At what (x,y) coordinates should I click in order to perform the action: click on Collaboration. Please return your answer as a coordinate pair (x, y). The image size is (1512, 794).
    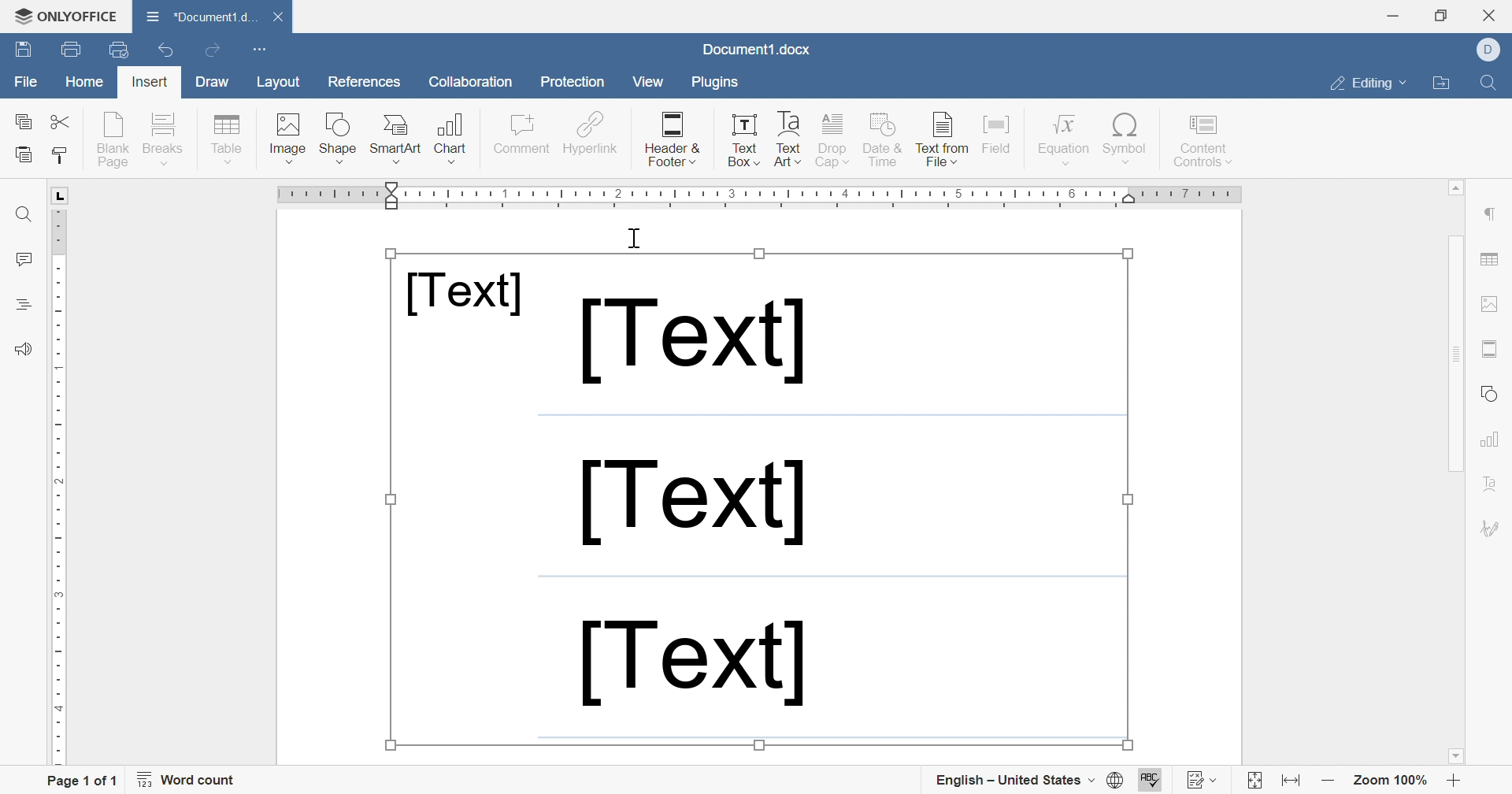
    Looking at the image, I should click on (469, 82).